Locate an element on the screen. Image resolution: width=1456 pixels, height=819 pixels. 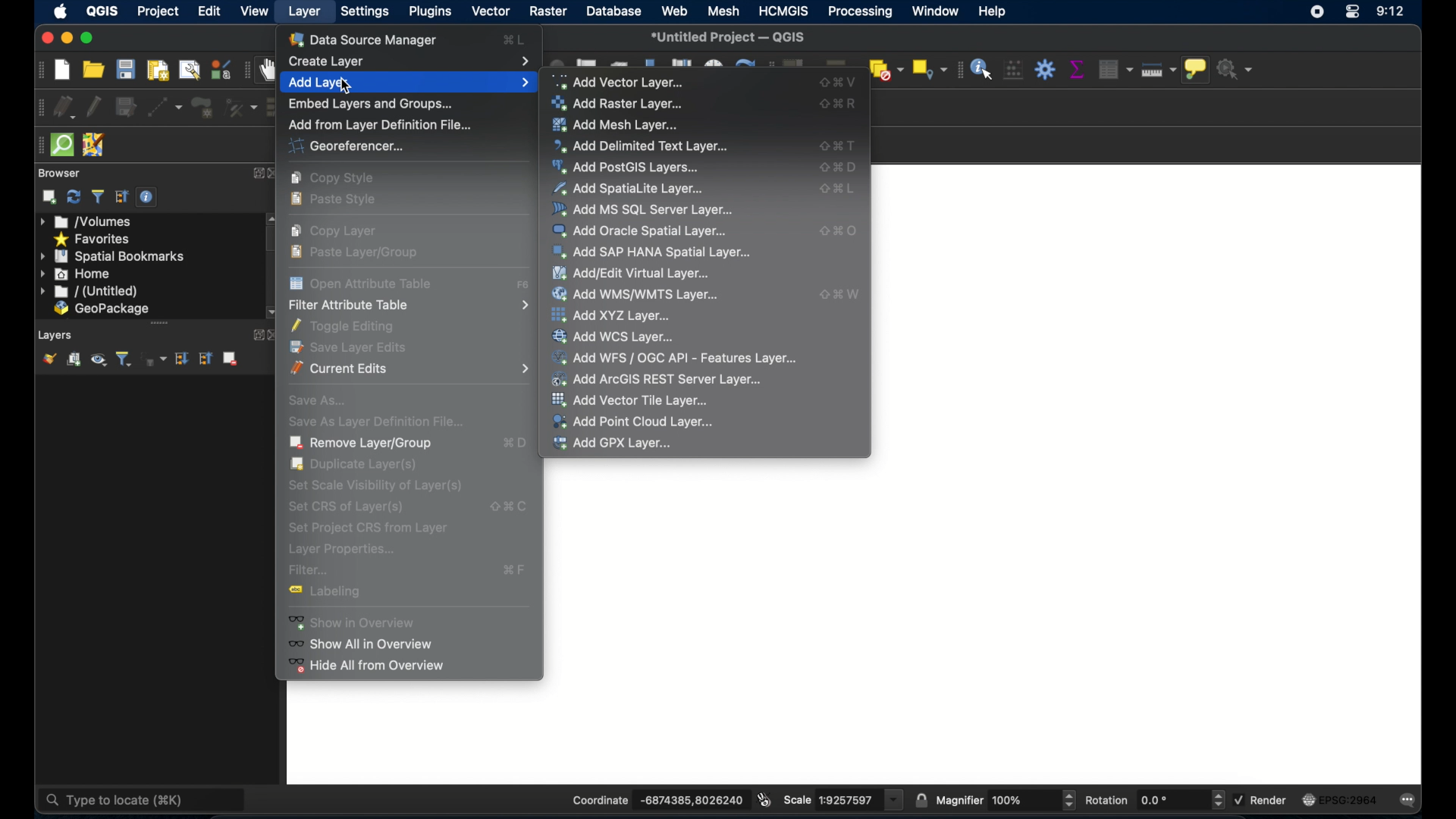
remove layer/group is located at coordinates (231, 359).